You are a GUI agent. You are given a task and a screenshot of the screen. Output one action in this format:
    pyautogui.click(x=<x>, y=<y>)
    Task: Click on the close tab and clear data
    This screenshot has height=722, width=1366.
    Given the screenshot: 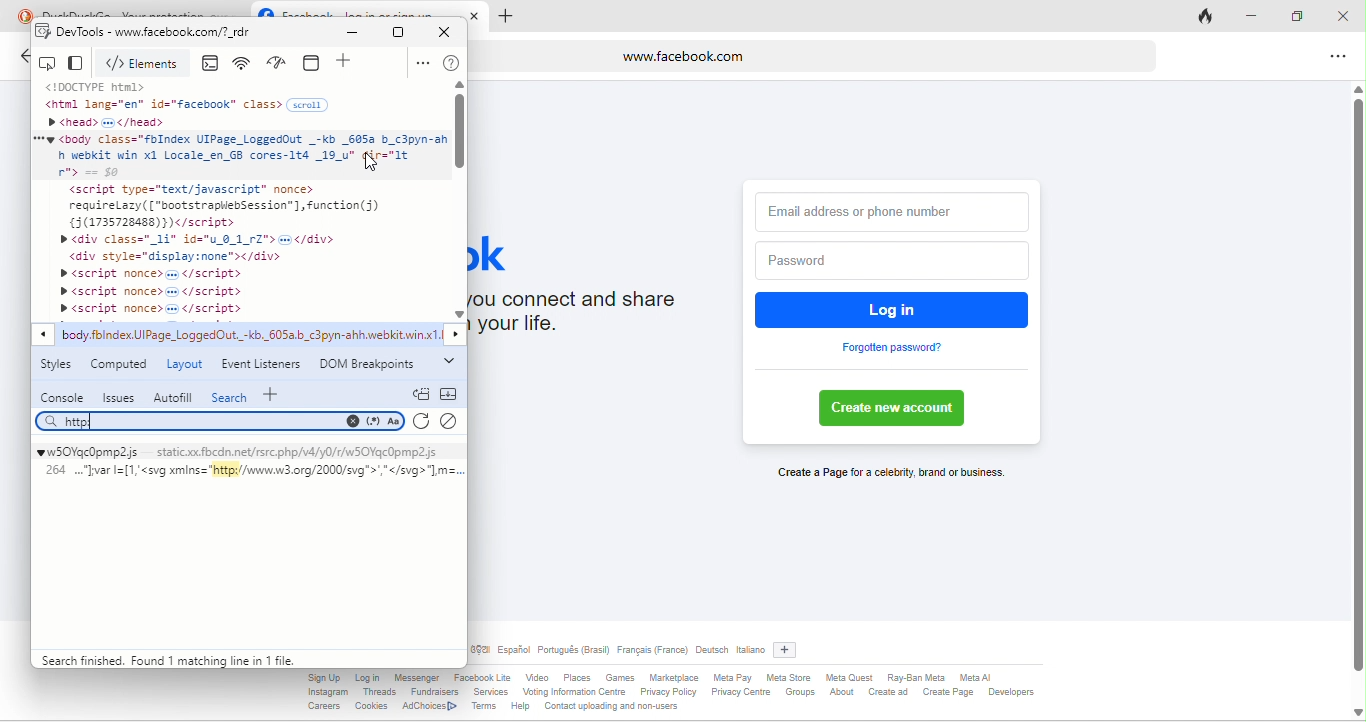 What is the action you would take?
    pyautogui.click(x=1208, y=15)
    